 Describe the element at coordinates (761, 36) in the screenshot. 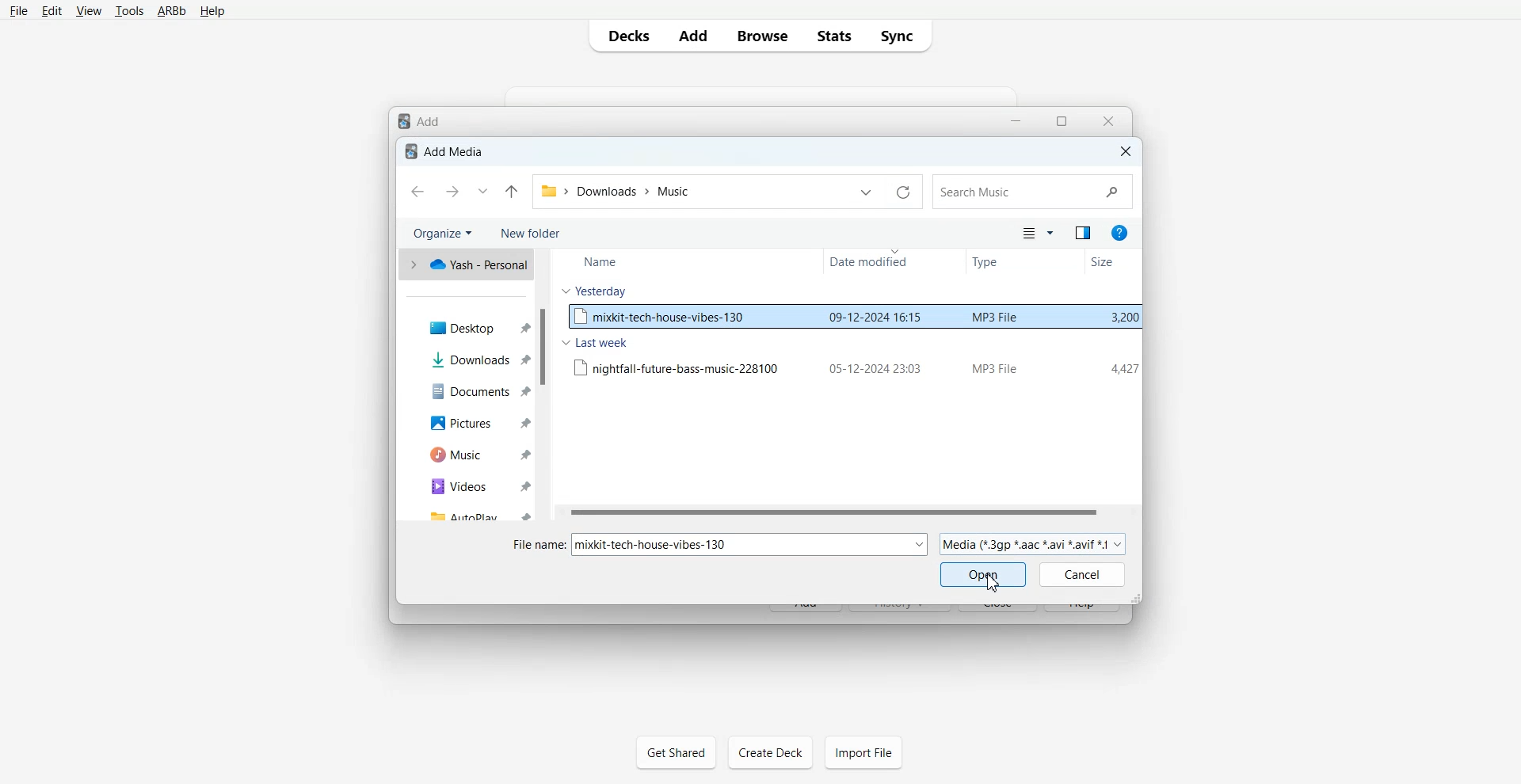

I see `Browse` at that location.